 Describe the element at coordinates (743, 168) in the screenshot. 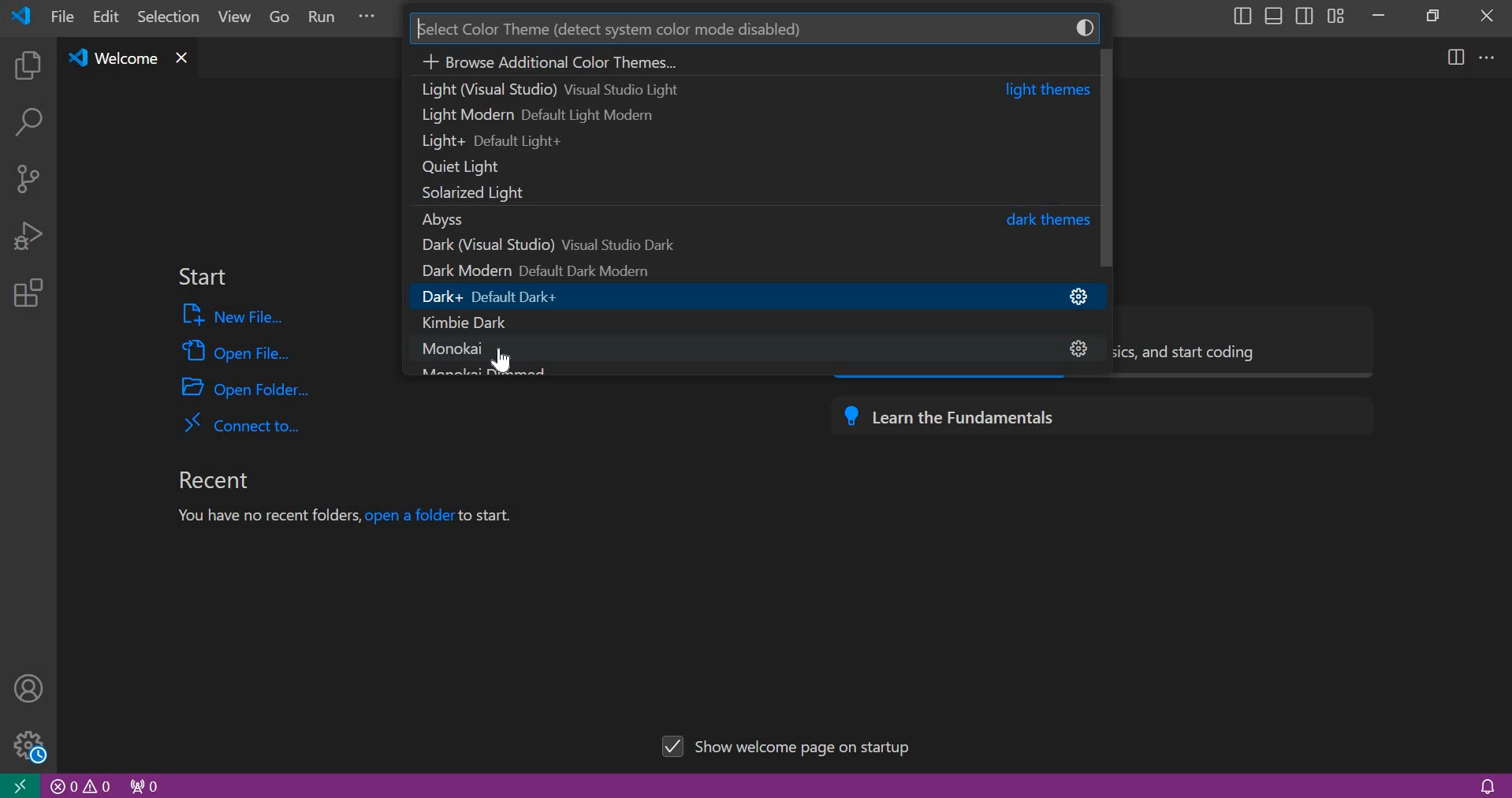

I see `quiet Light` at that location.